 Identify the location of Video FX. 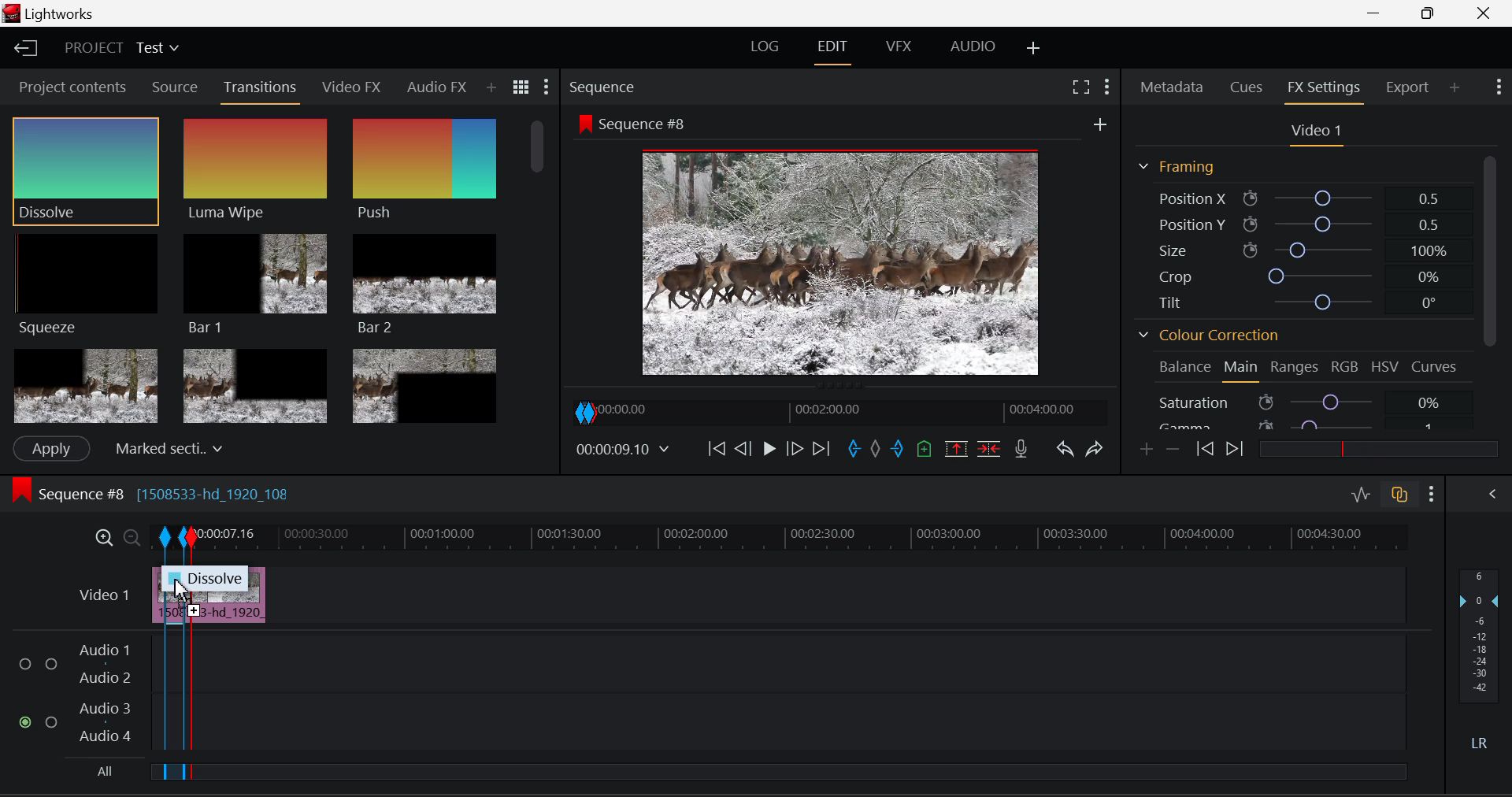
(353, 89).